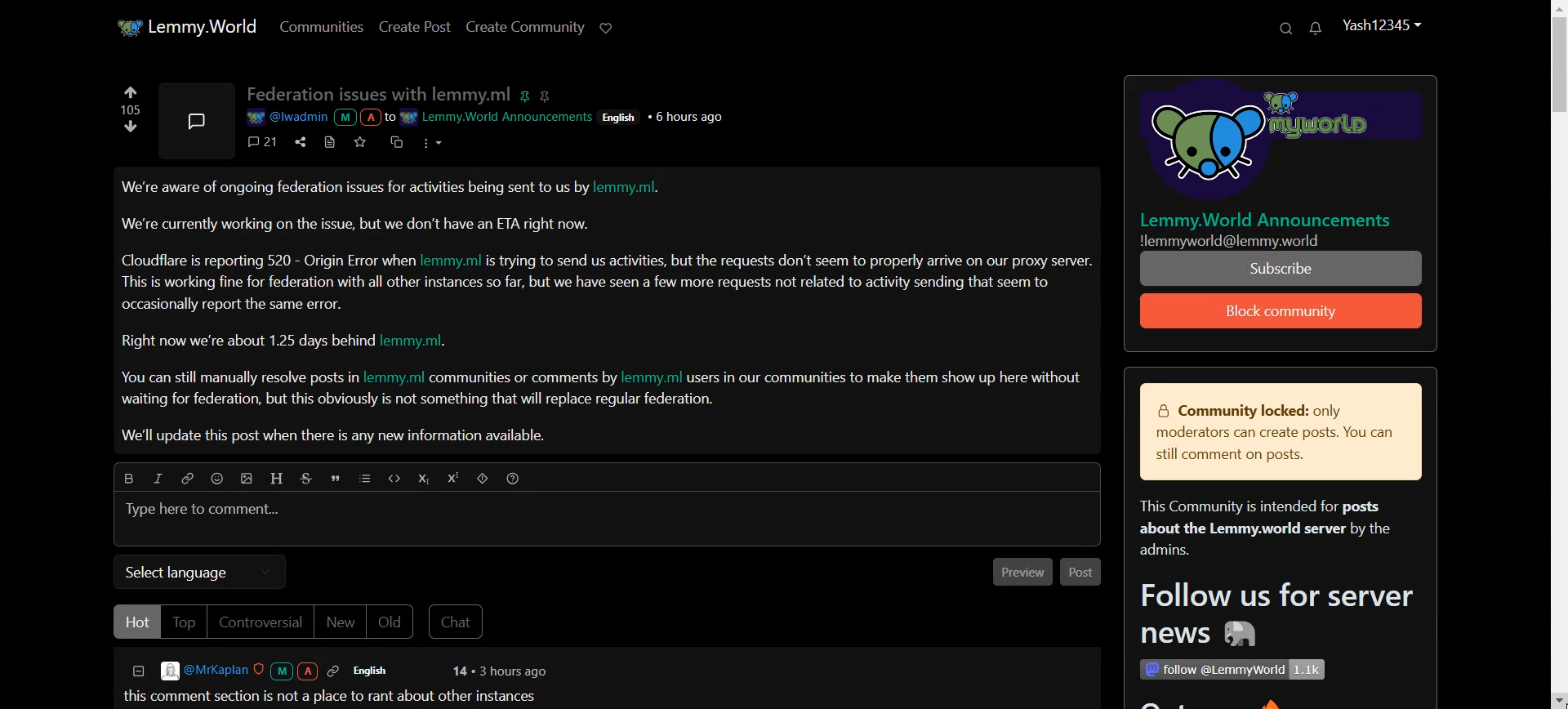  Describe the element at coordinates (1280, 310) in the screenshot. I see `Block community` at that location.